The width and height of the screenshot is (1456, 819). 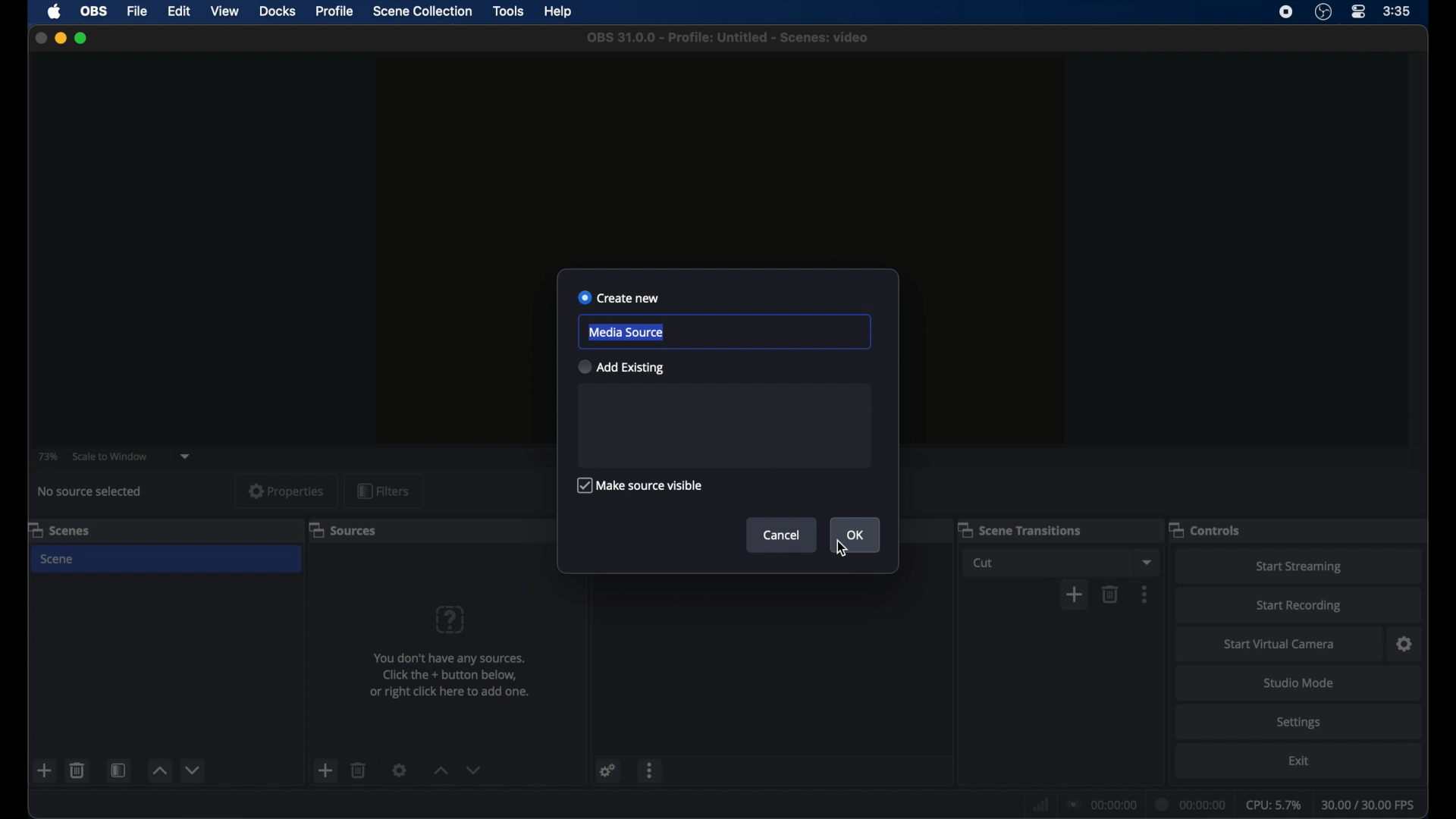 What do you see at coordinates (1360, 12) in the screenshot?
I see `control center` at bounding box center [1360, 12].